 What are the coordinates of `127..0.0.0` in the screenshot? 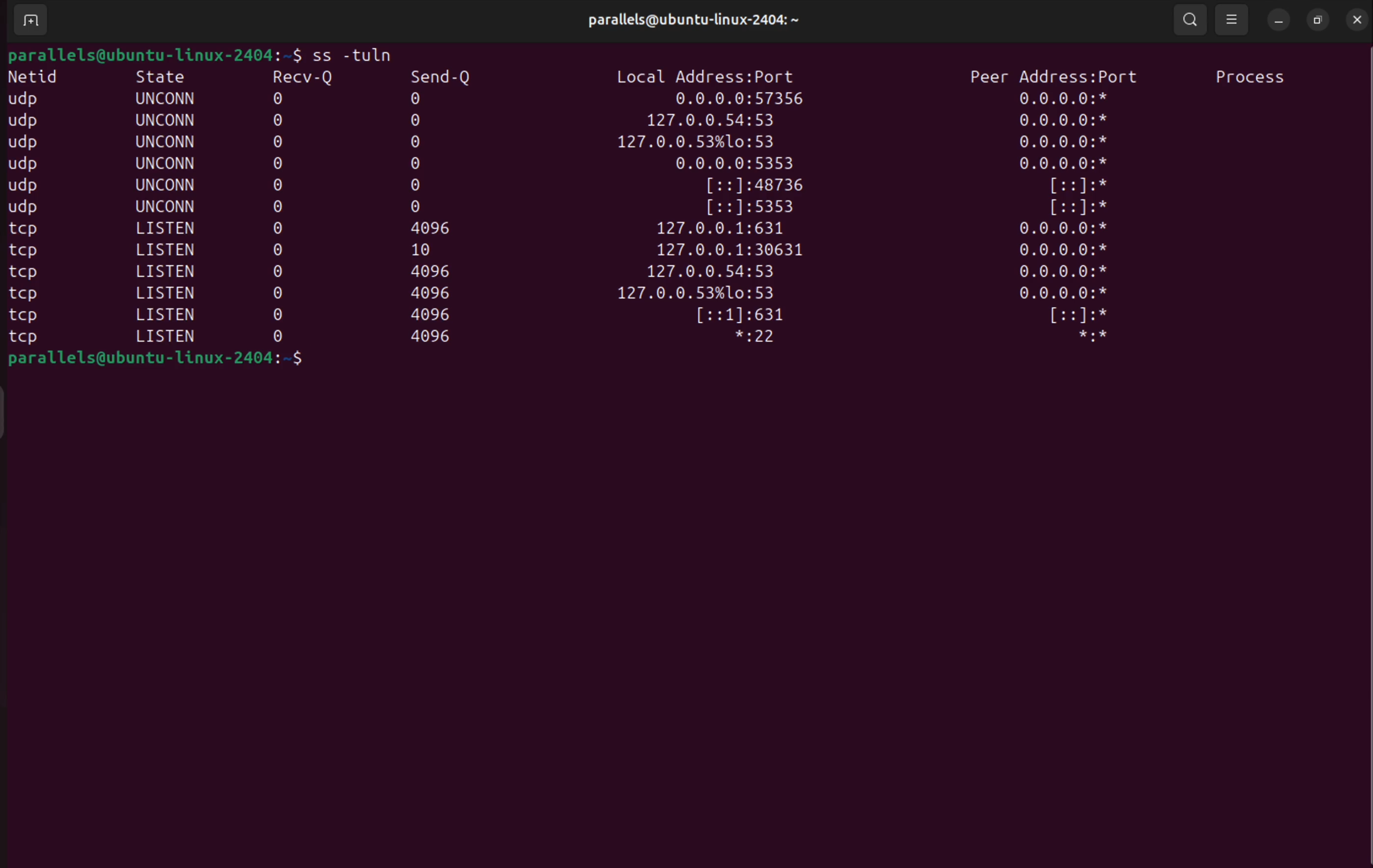 It's located at (708, 142).